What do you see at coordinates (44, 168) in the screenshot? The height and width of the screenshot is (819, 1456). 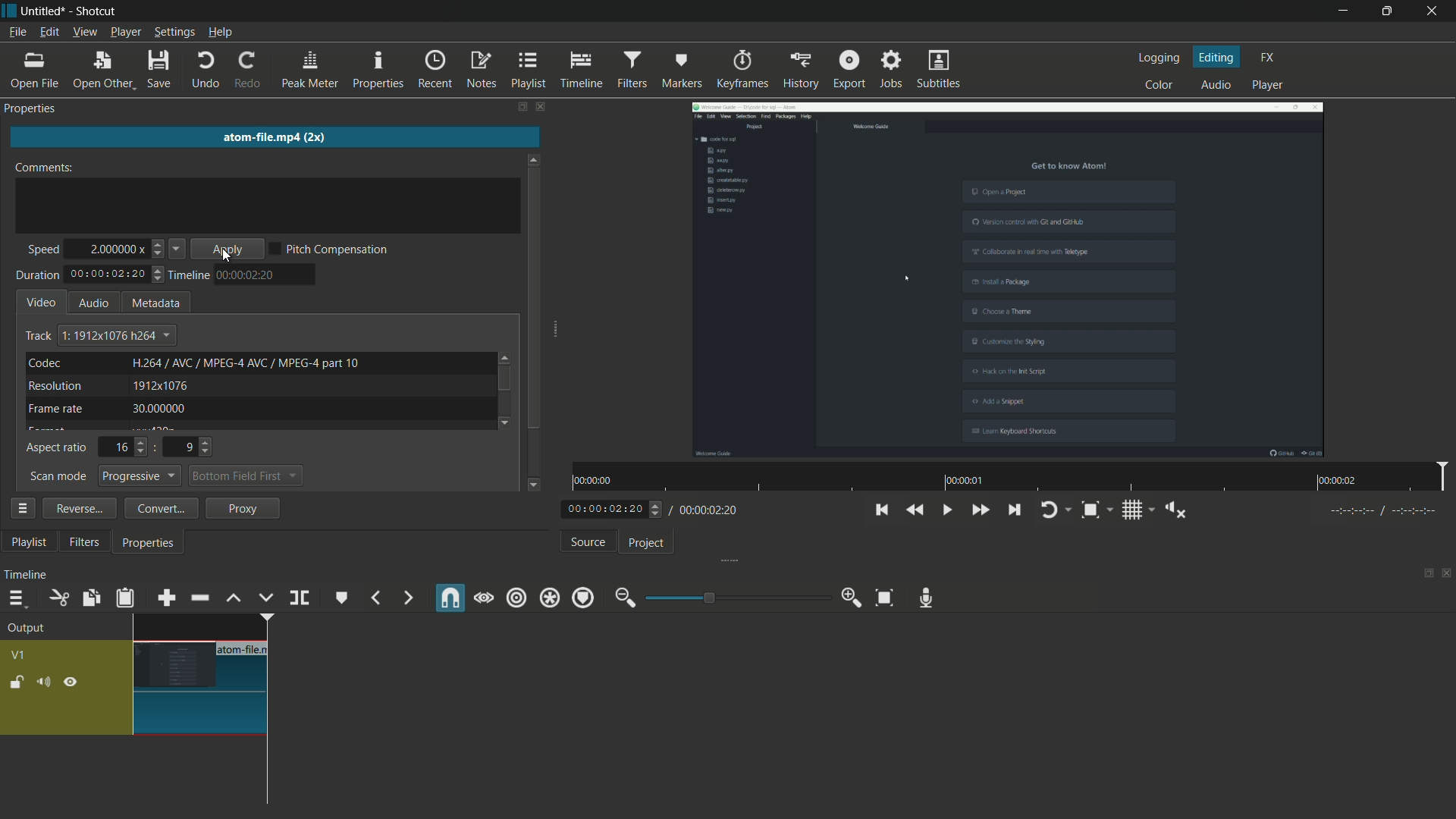 I see `comments` at bounding box center [44, 168].